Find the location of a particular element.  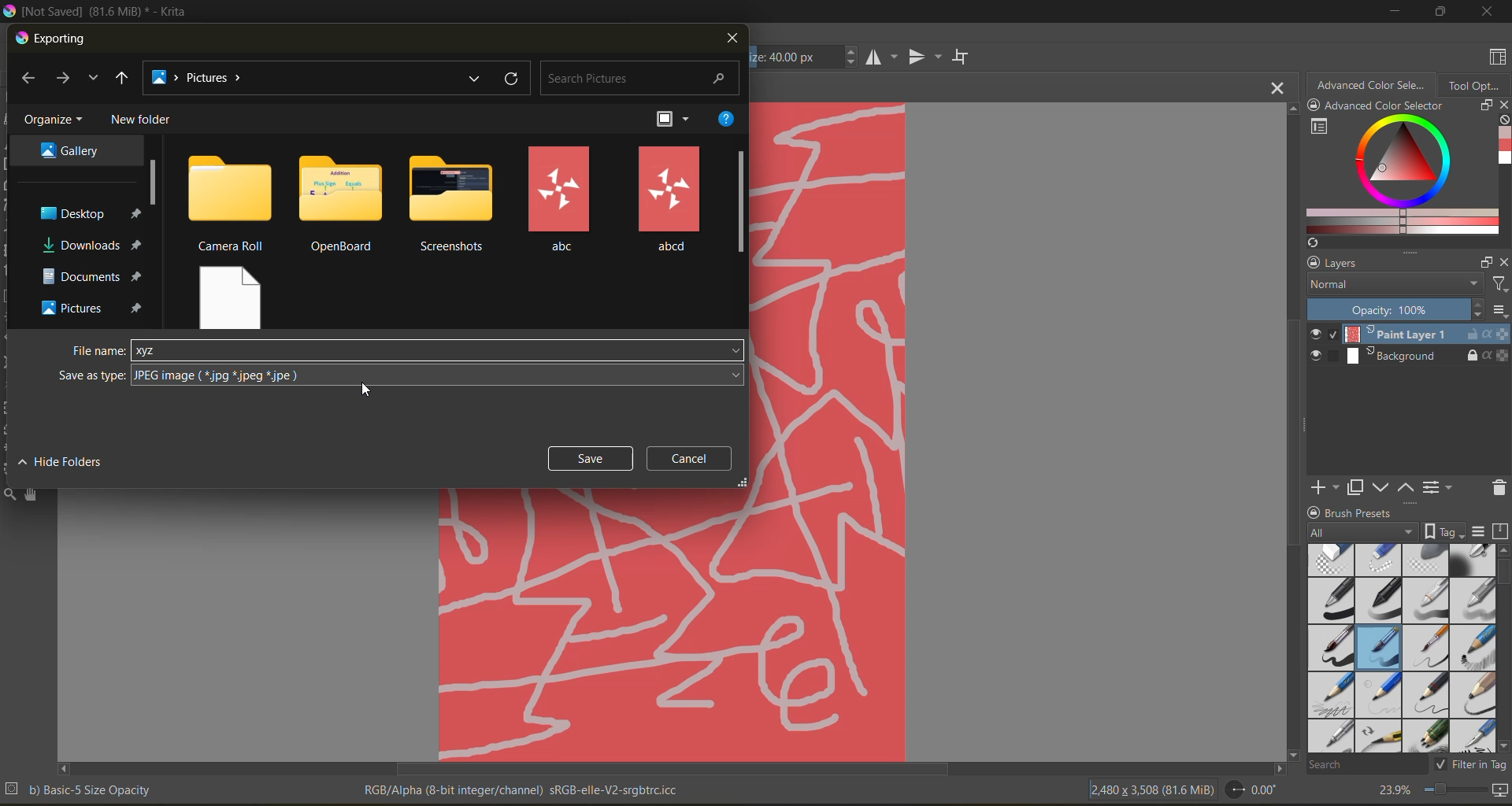

folders is located at coordinates (455, 205).